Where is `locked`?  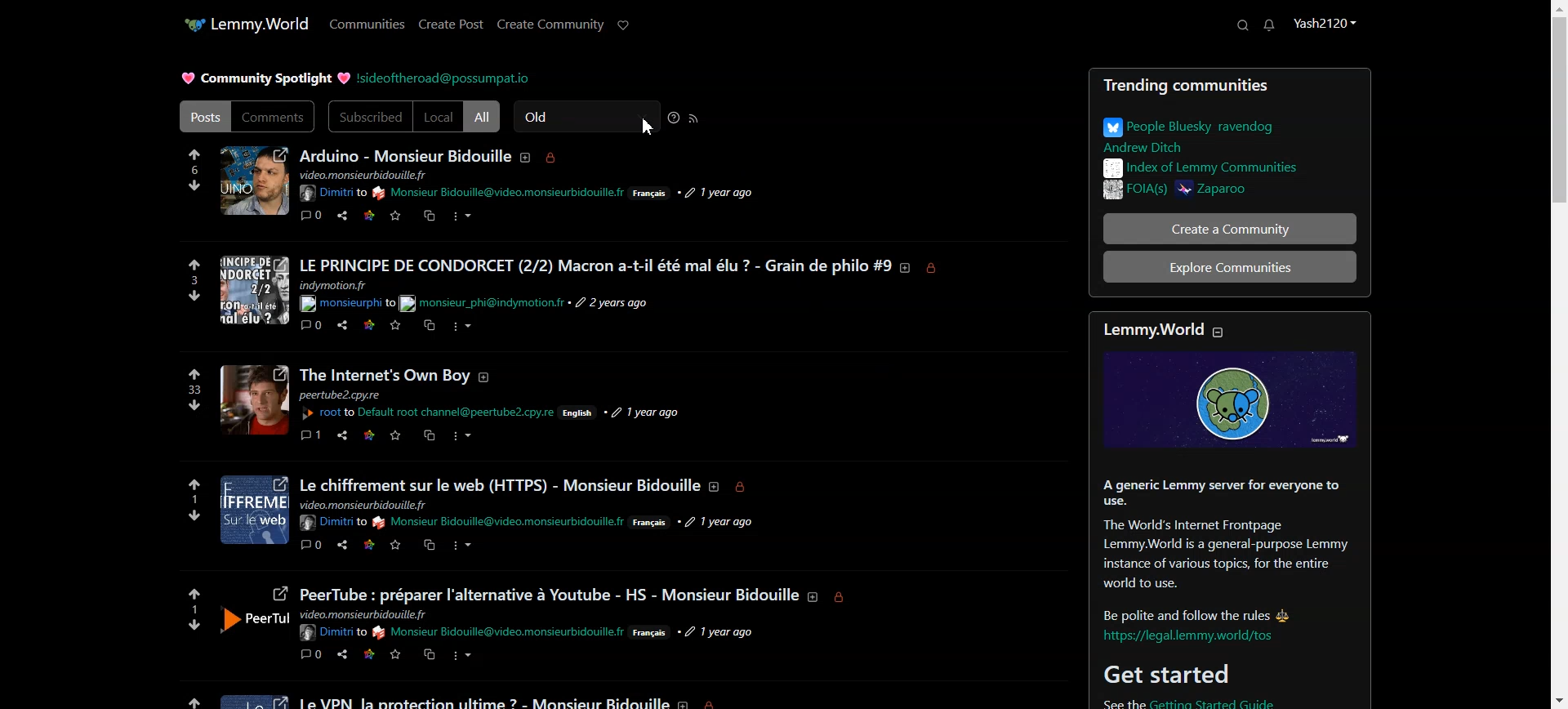 locked is located at coordinates (742, 488).